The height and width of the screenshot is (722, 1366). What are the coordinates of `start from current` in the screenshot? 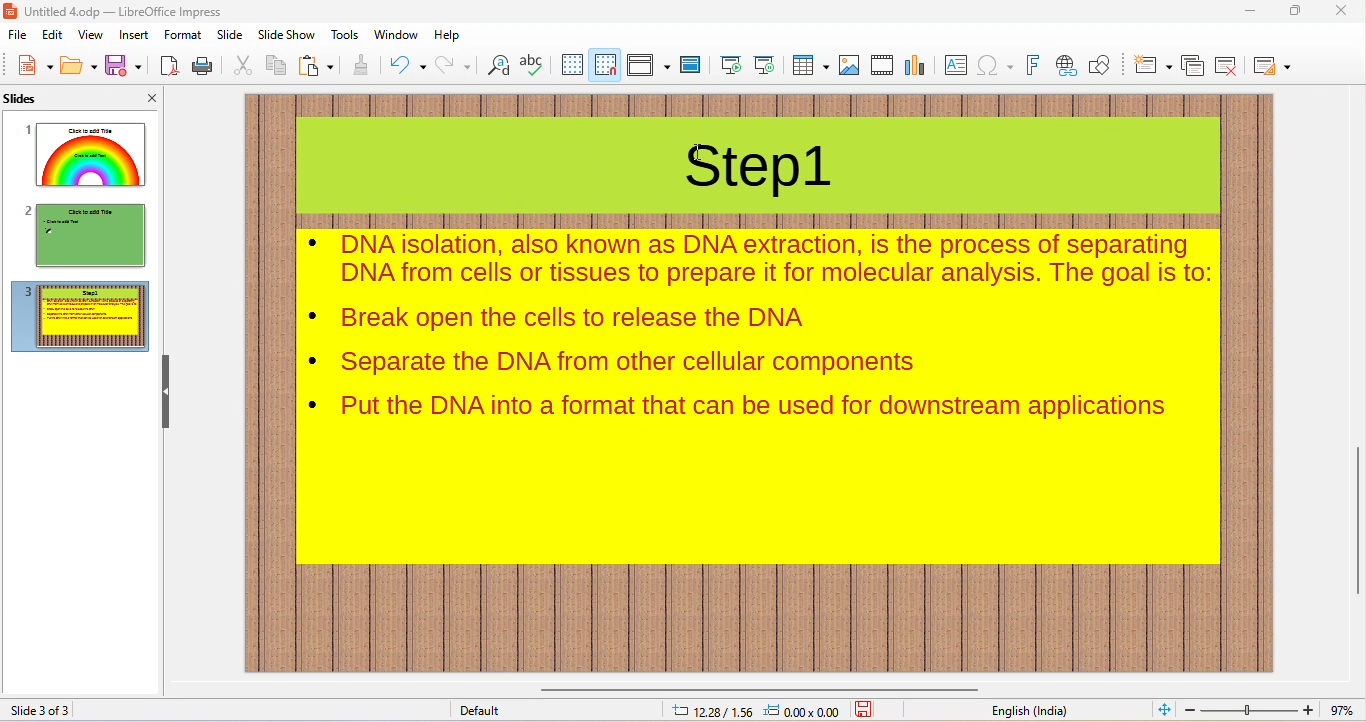 It's located at (764, 63).